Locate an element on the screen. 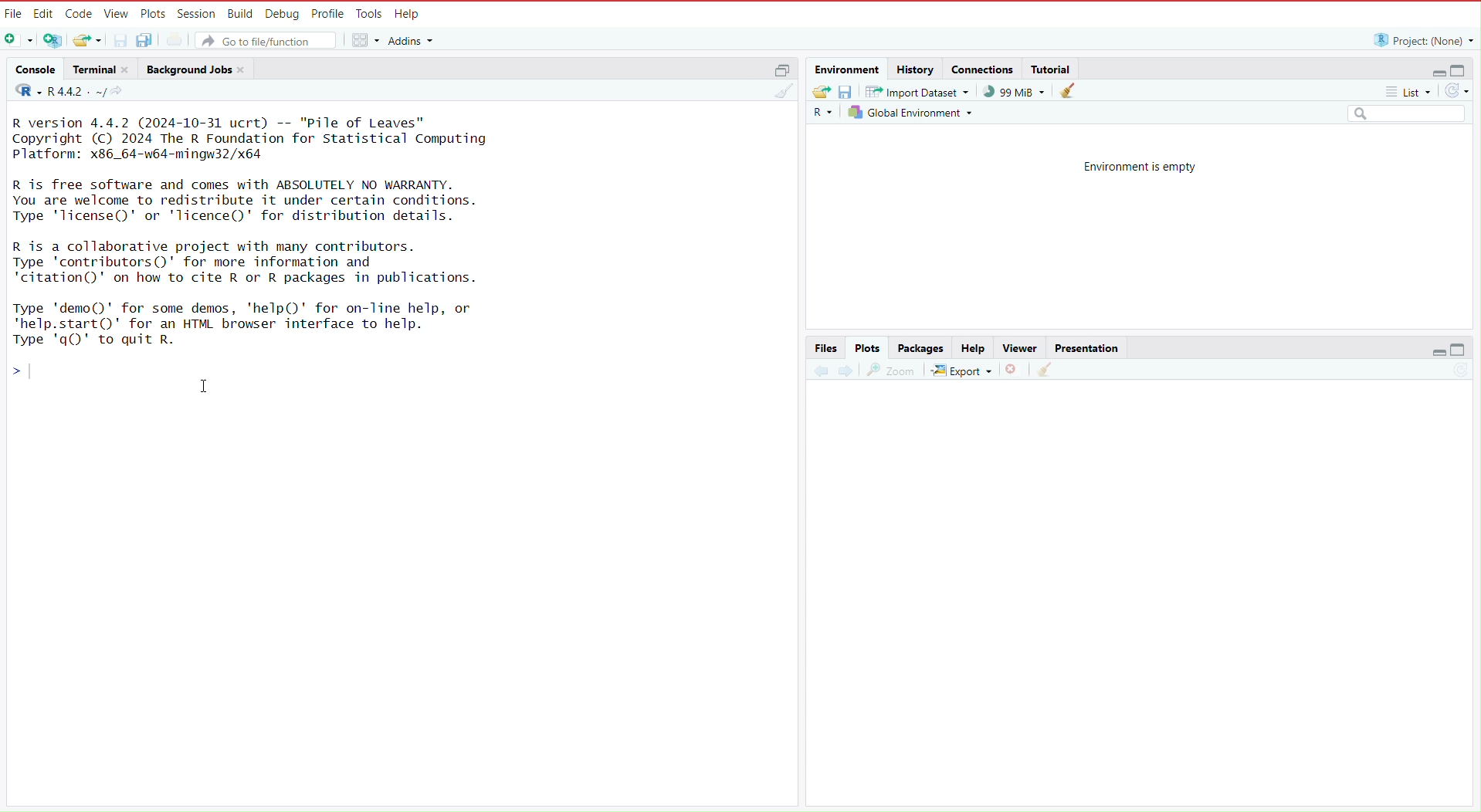 The height and width of the screenshot is (812, 1481). previous plot is located at coordinates (817, 370).